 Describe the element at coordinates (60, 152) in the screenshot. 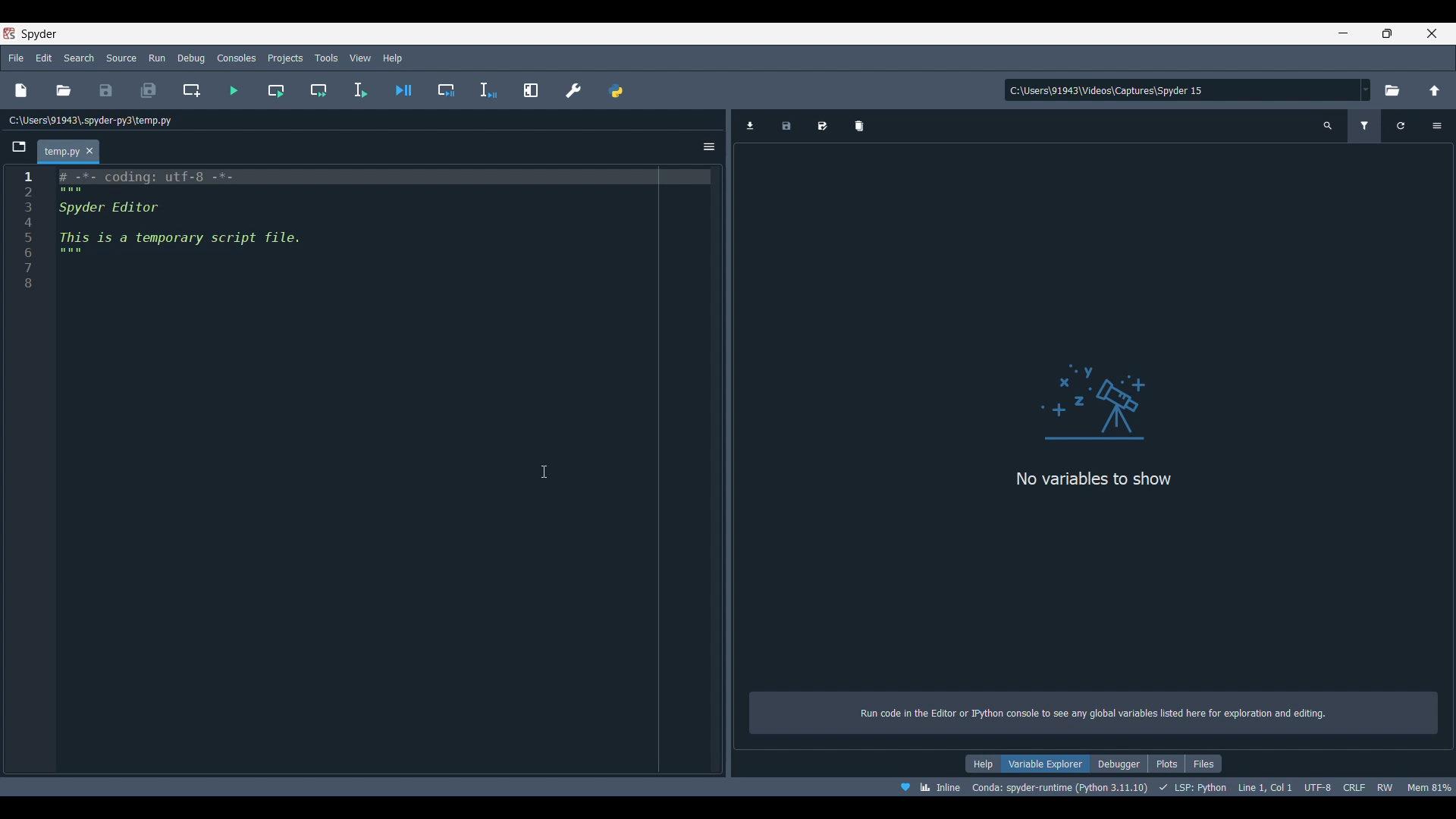

I see `Current tab` at that location.